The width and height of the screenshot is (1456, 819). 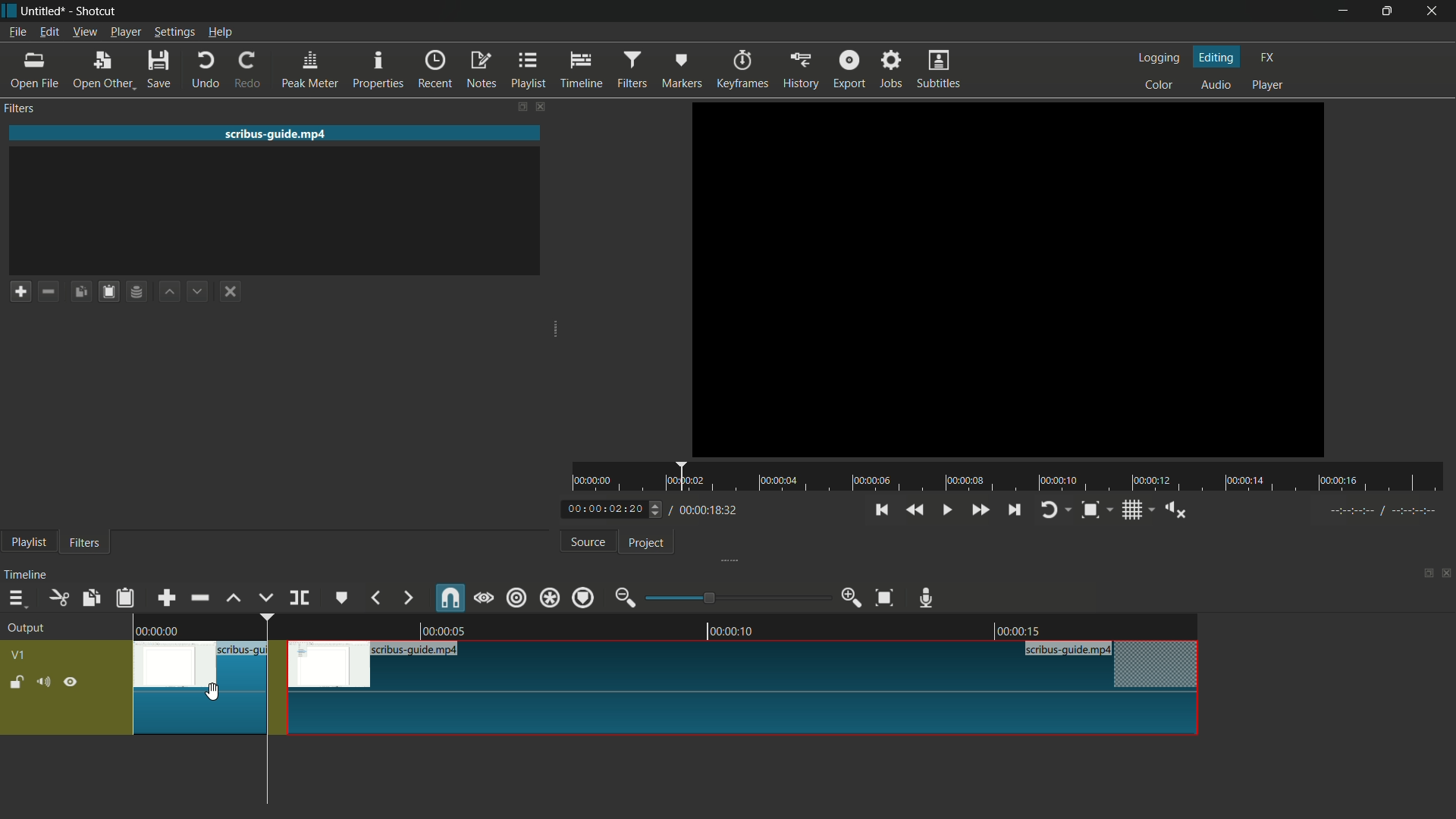 I want to click on history, so click(x=800, y=71).